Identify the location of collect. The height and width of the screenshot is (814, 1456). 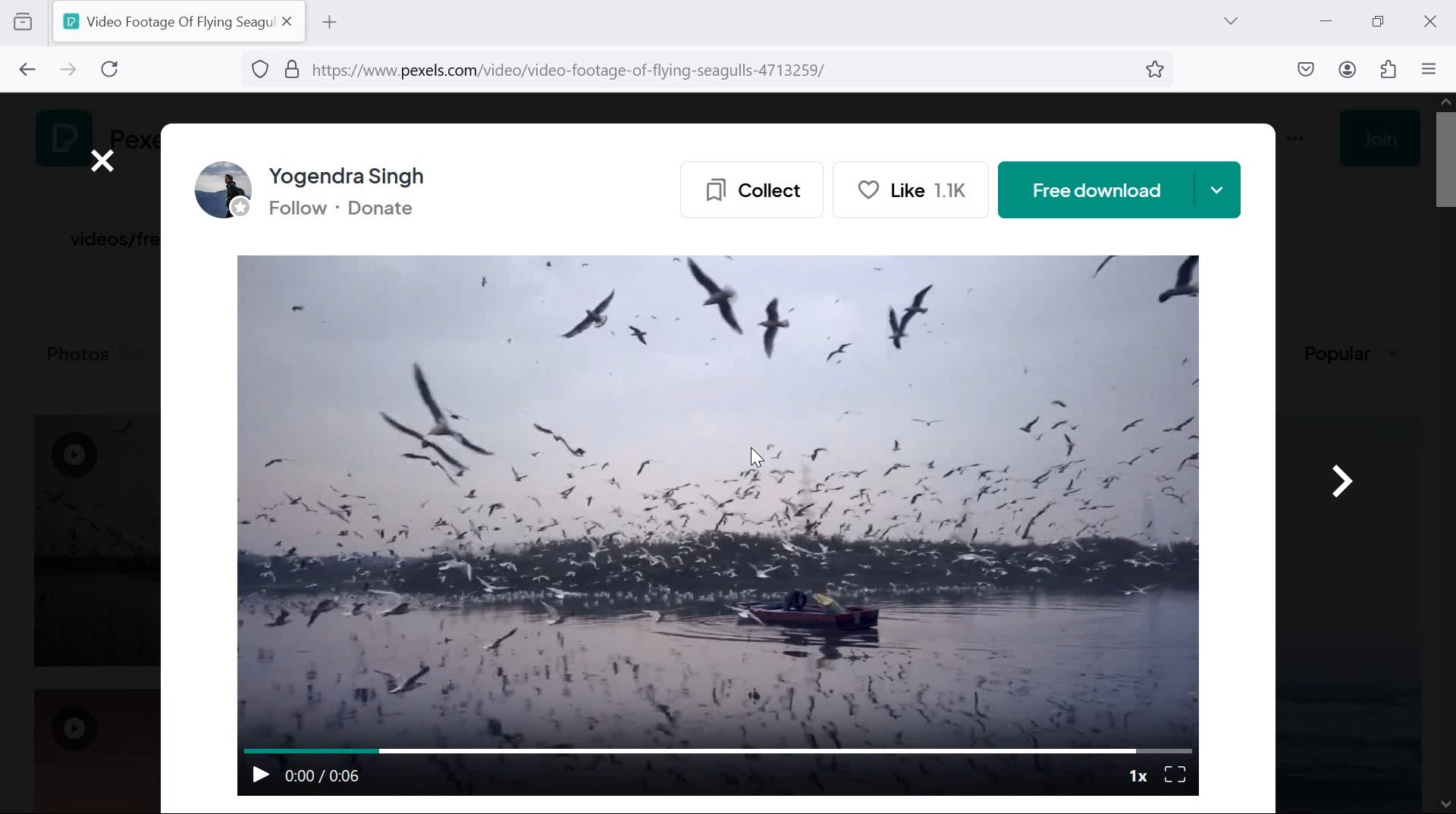
(747, 187).